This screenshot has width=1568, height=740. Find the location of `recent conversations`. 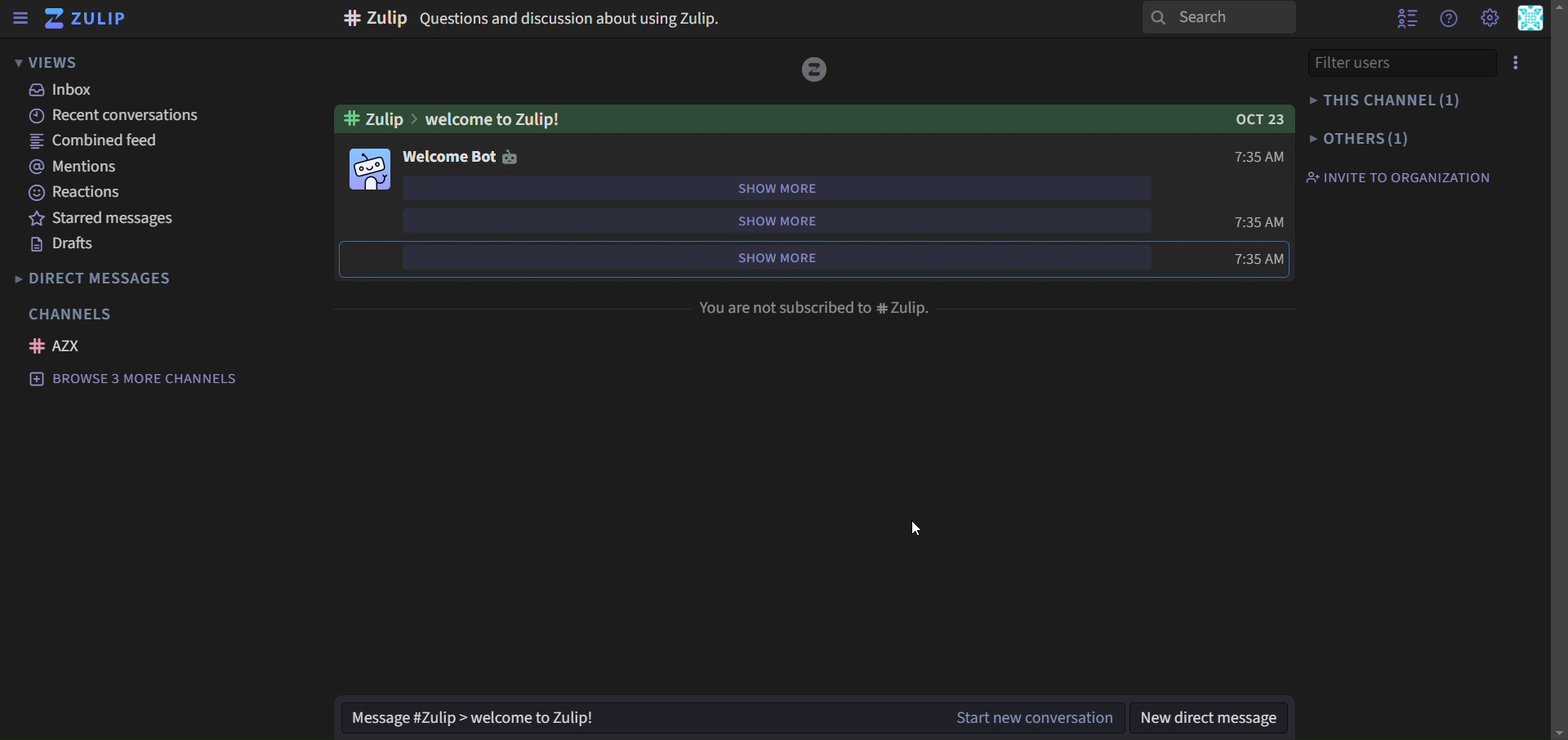

recent conversations is located at coordinates (117, 118).